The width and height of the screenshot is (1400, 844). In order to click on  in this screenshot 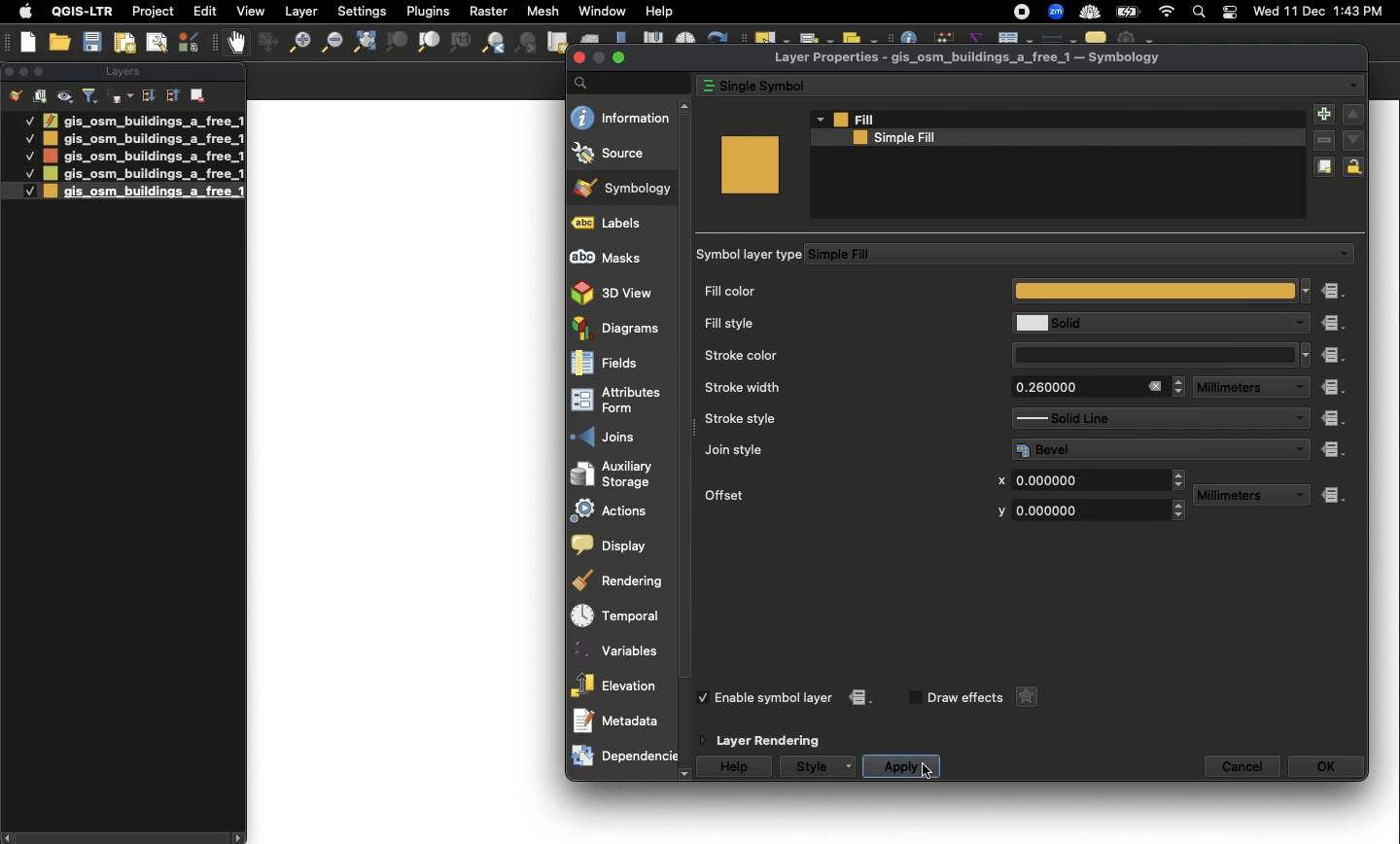, I will do `click(861, 697)`.